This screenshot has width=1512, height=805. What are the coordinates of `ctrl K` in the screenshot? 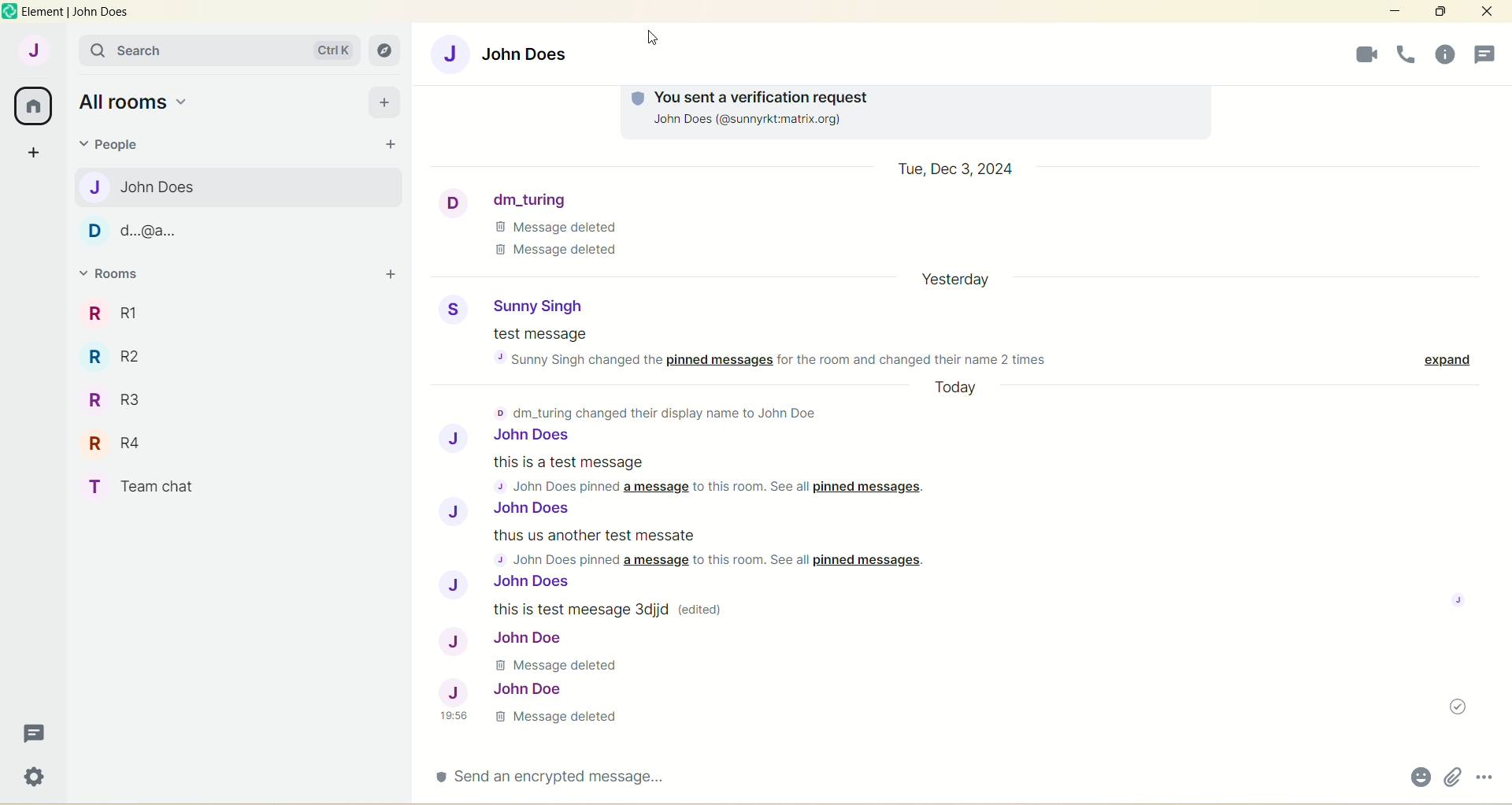 It's located at (332, 50).